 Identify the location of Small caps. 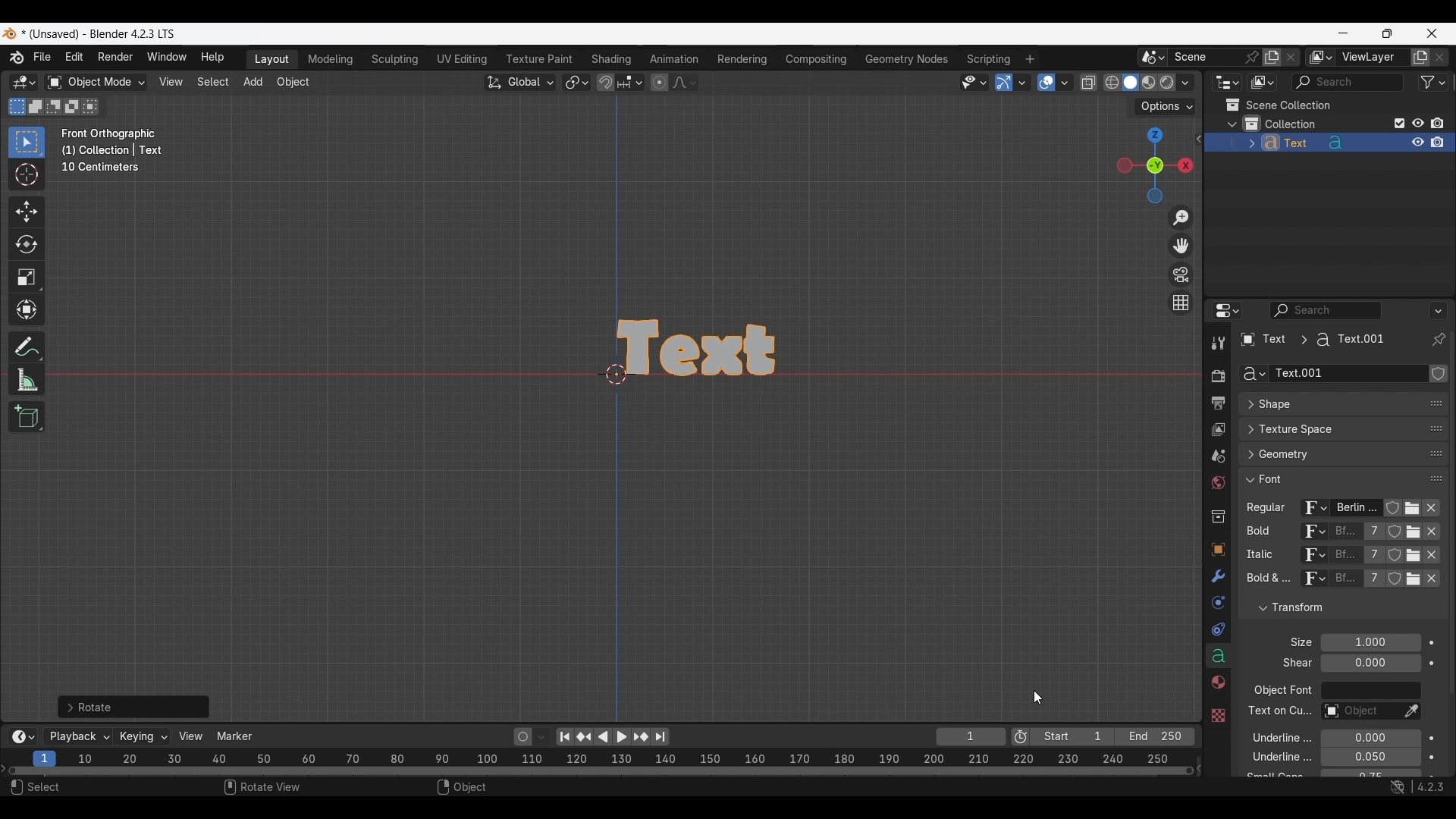
(1370, 773).